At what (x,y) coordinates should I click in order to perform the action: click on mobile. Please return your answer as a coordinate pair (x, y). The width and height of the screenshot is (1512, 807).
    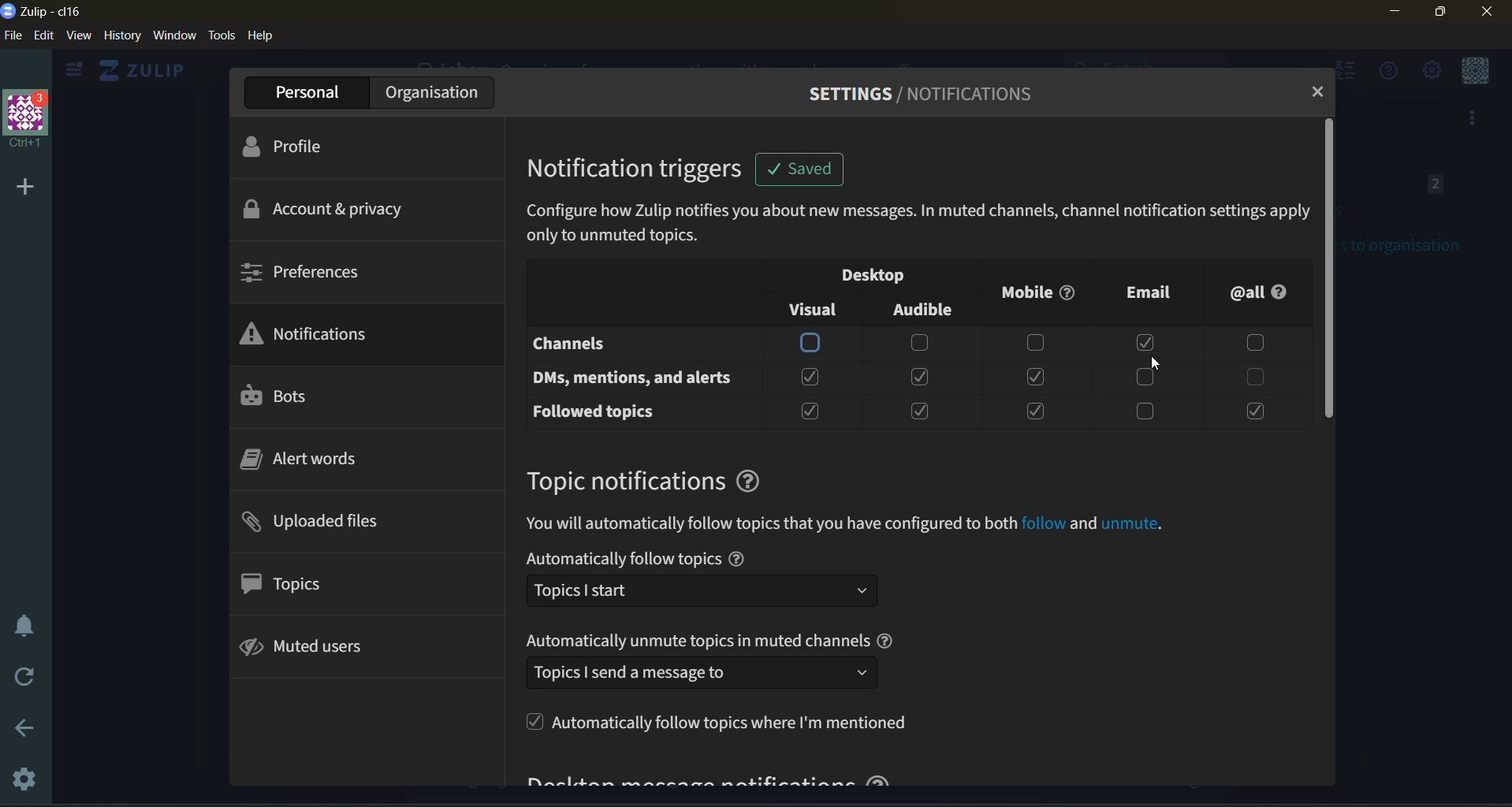
    Looking at the image, I should click on (1034, 299).